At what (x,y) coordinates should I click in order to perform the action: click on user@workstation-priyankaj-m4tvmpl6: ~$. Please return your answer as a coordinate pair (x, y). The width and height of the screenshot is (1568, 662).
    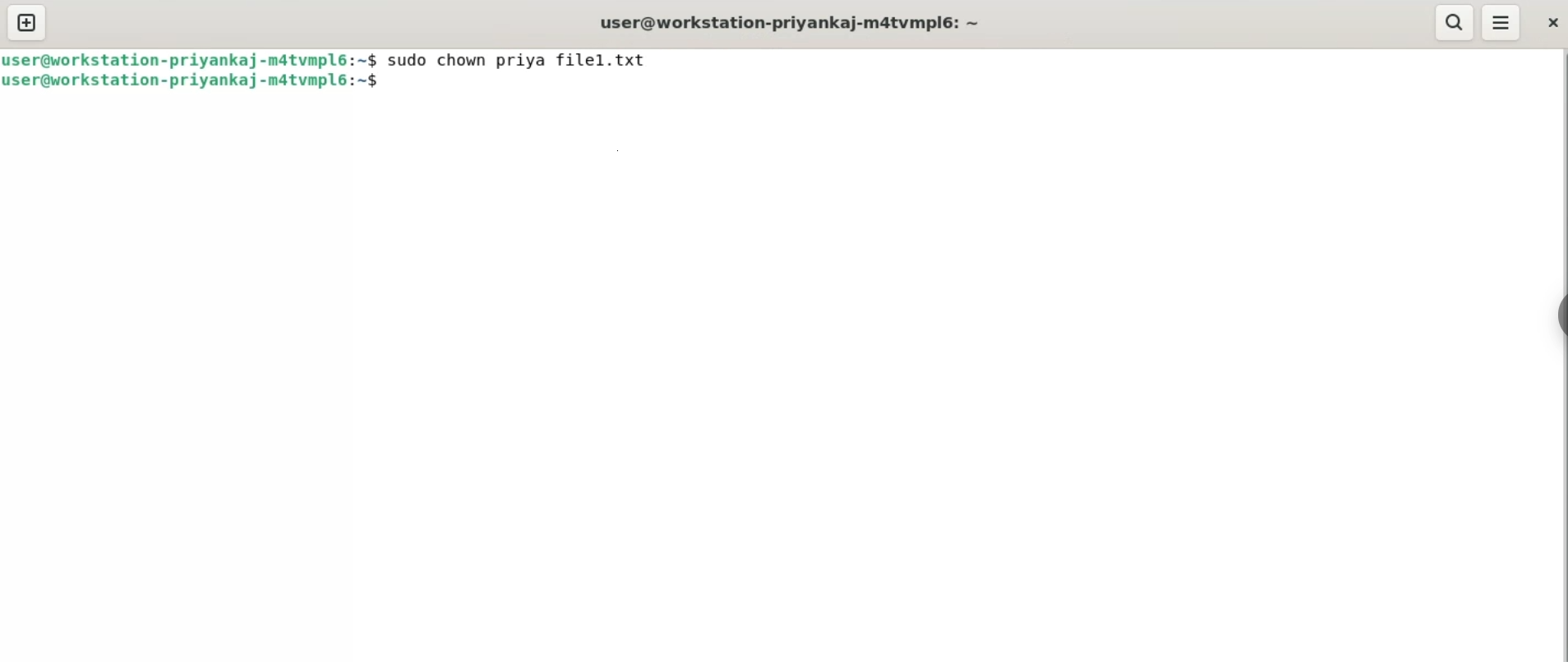
    Looking at the image, I should click on (191, 59).